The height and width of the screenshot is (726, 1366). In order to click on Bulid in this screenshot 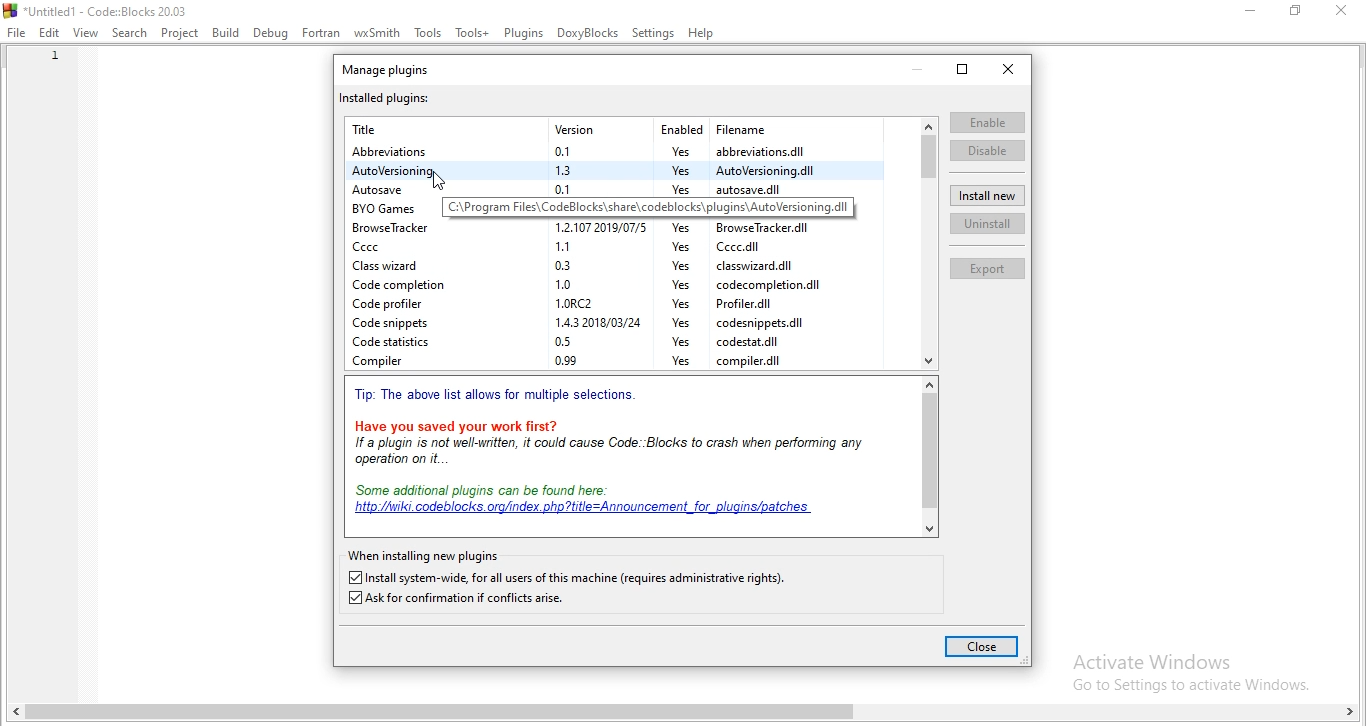, I will do `click(227, 32)`.